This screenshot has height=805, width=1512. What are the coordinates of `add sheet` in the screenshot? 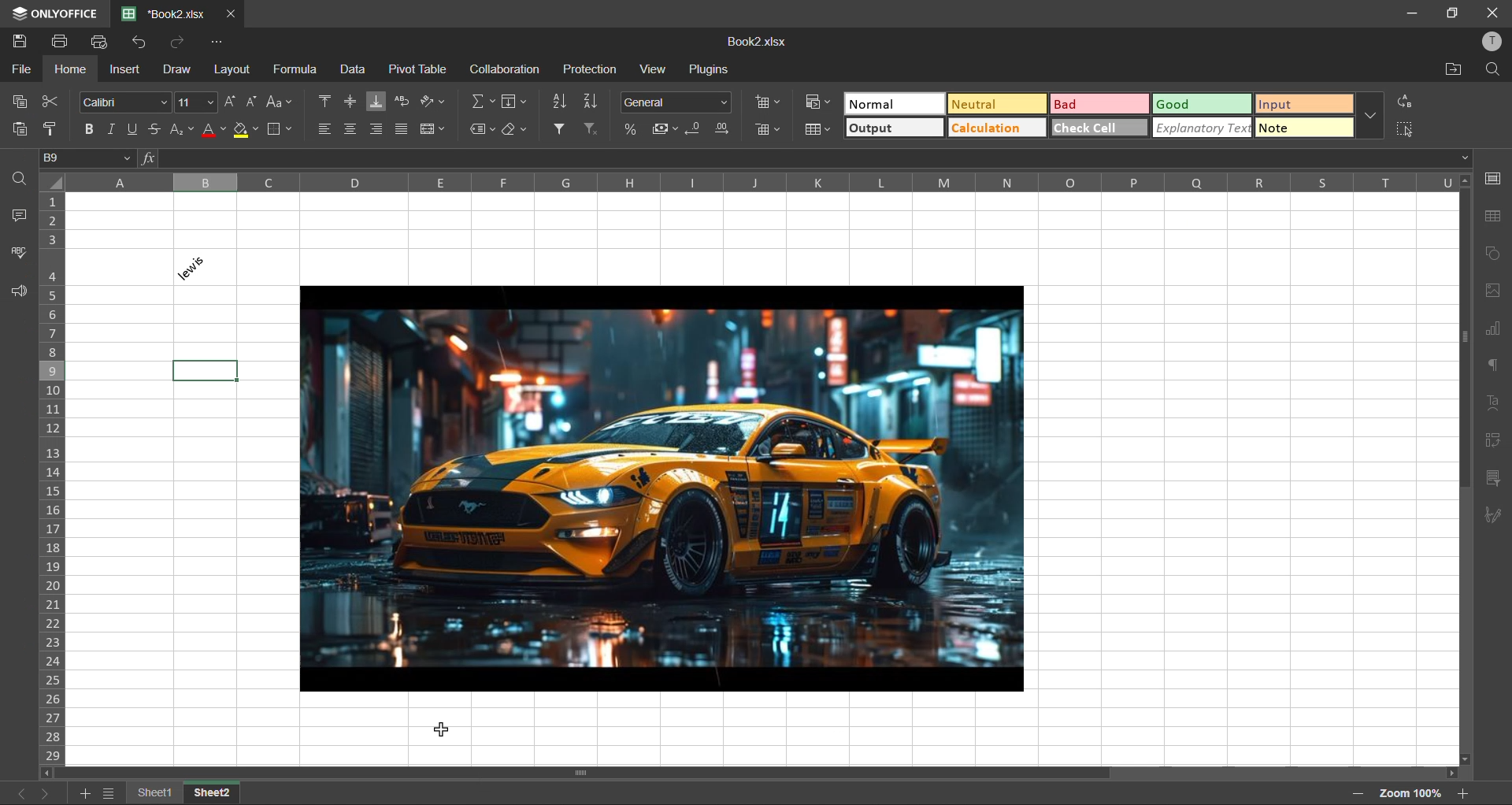 It's located at (84, 794).